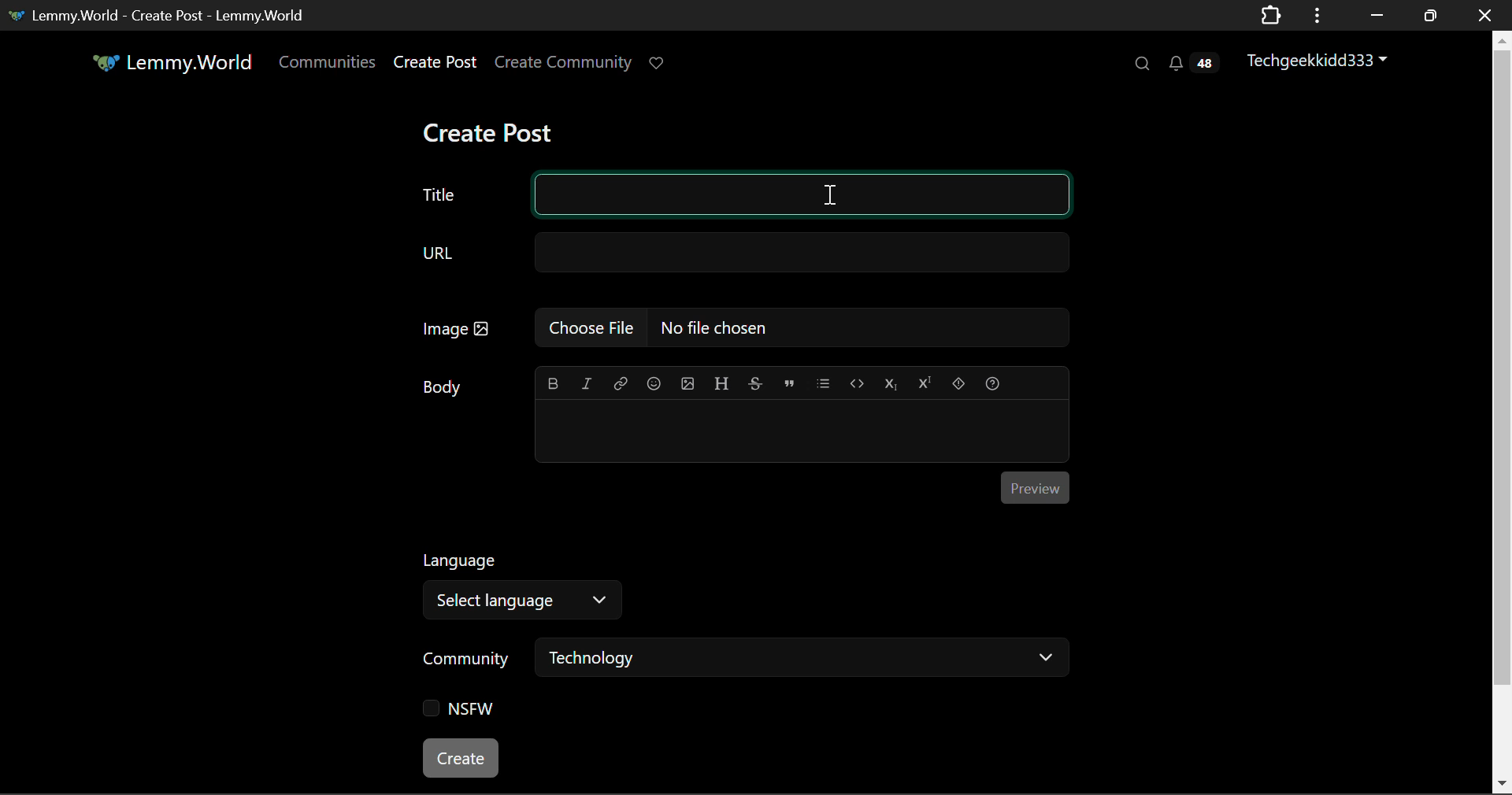 The height and width of the screenshot is (795, 1512). Describe the element at coordinates (742, 195) in the screenshot. I see `Title Field Selected` at that location.